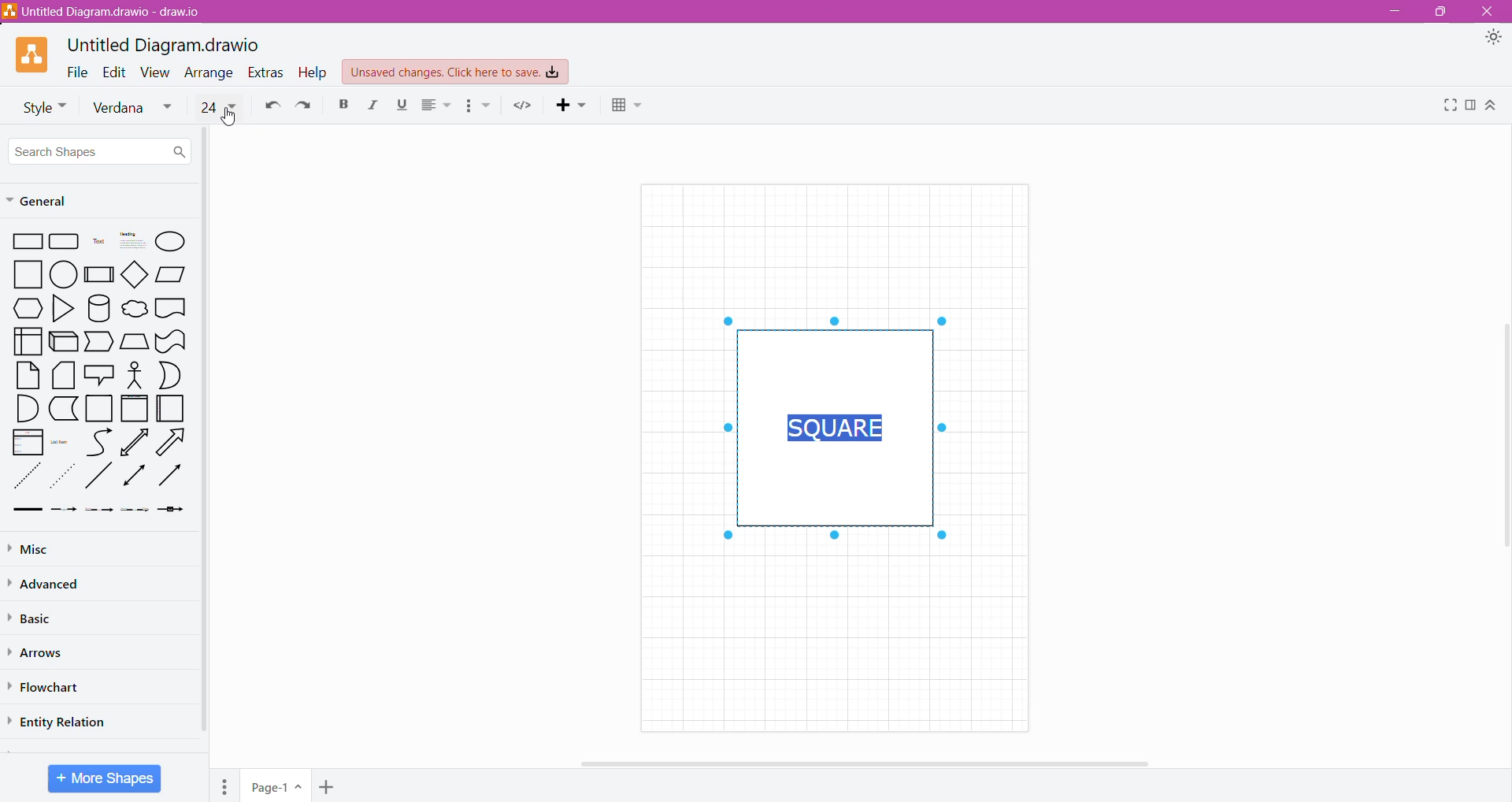  Describe the element at coordinates (40, 549) in the screenshot. I see `Misc` at that location.